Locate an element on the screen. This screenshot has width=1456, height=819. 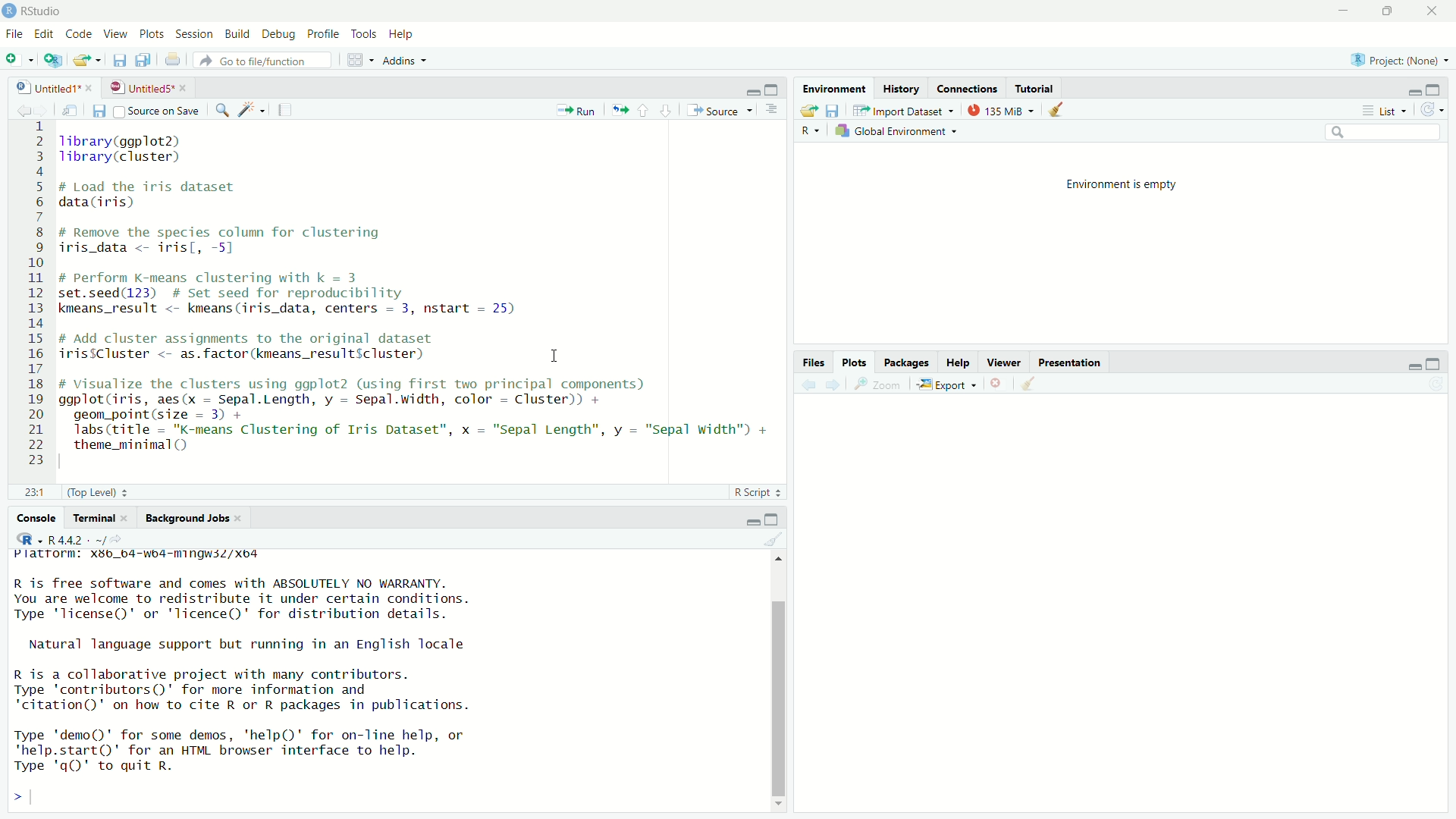
minimize is located at coordinates (750, 519).